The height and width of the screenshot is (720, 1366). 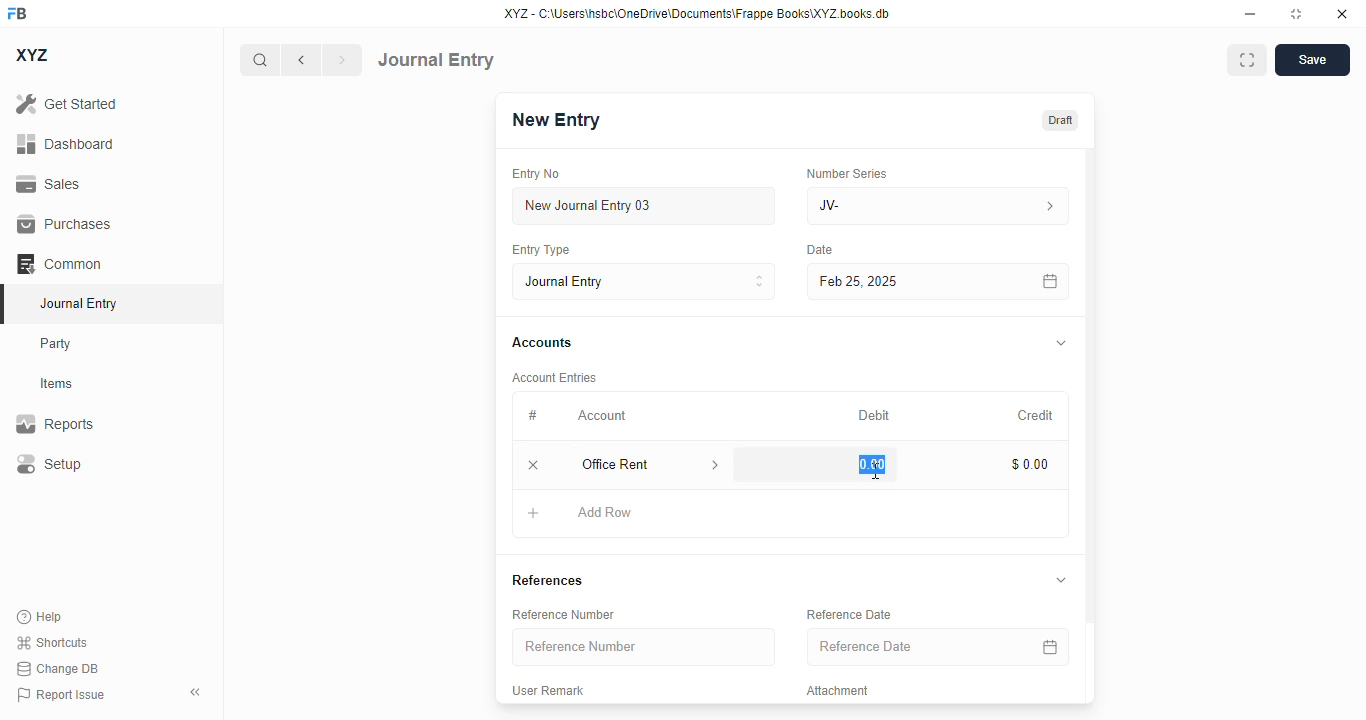 What do you see at coordinates (55, 423) in the screenshot?
I see `reports` at bounding box center [55, 423].